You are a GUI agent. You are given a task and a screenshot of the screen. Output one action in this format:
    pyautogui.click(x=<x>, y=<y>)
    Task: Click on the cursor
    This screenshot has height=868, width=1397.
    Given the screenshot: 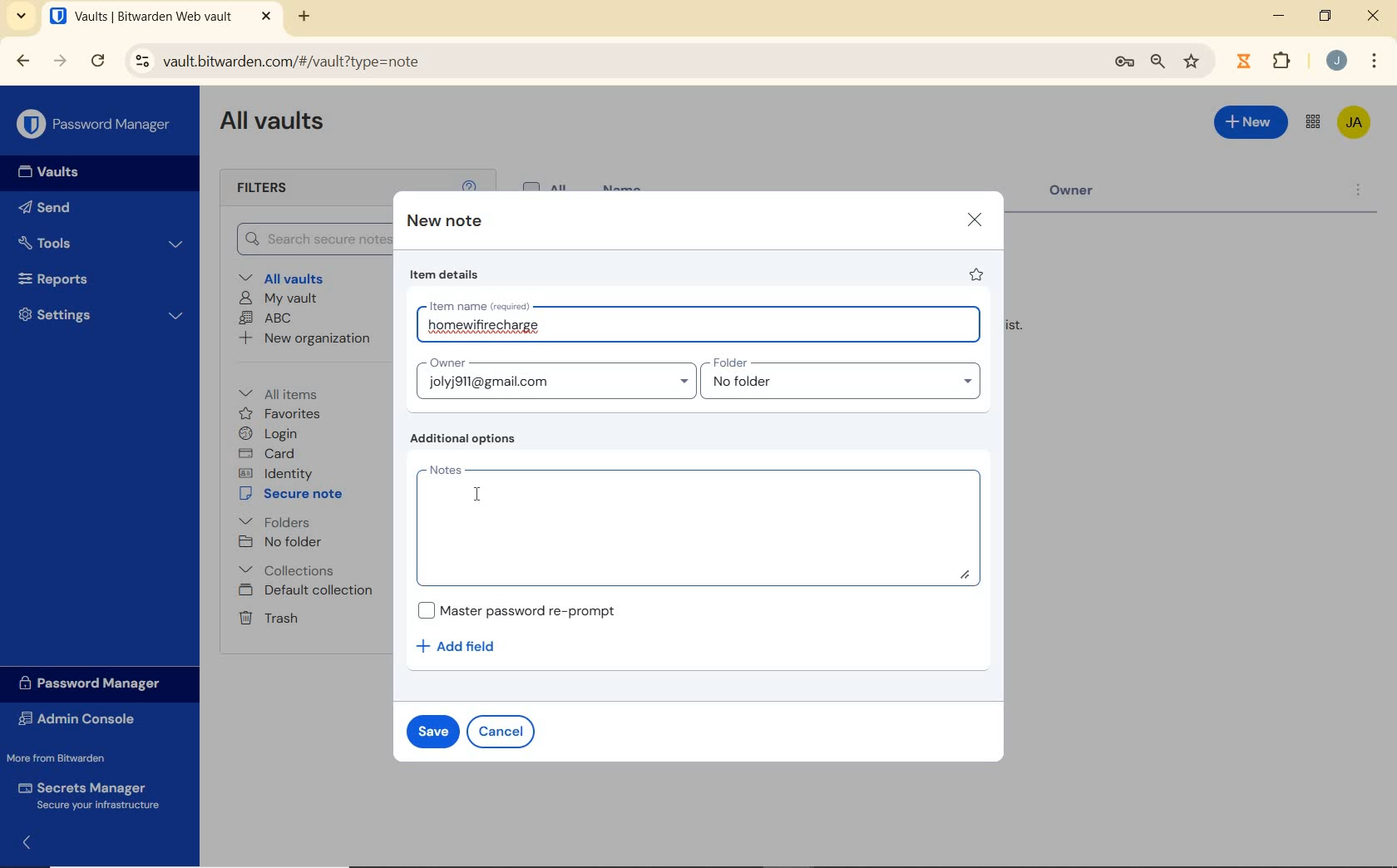 What is the action you would take?
    pyautogui.click(x=476, y=496)
    